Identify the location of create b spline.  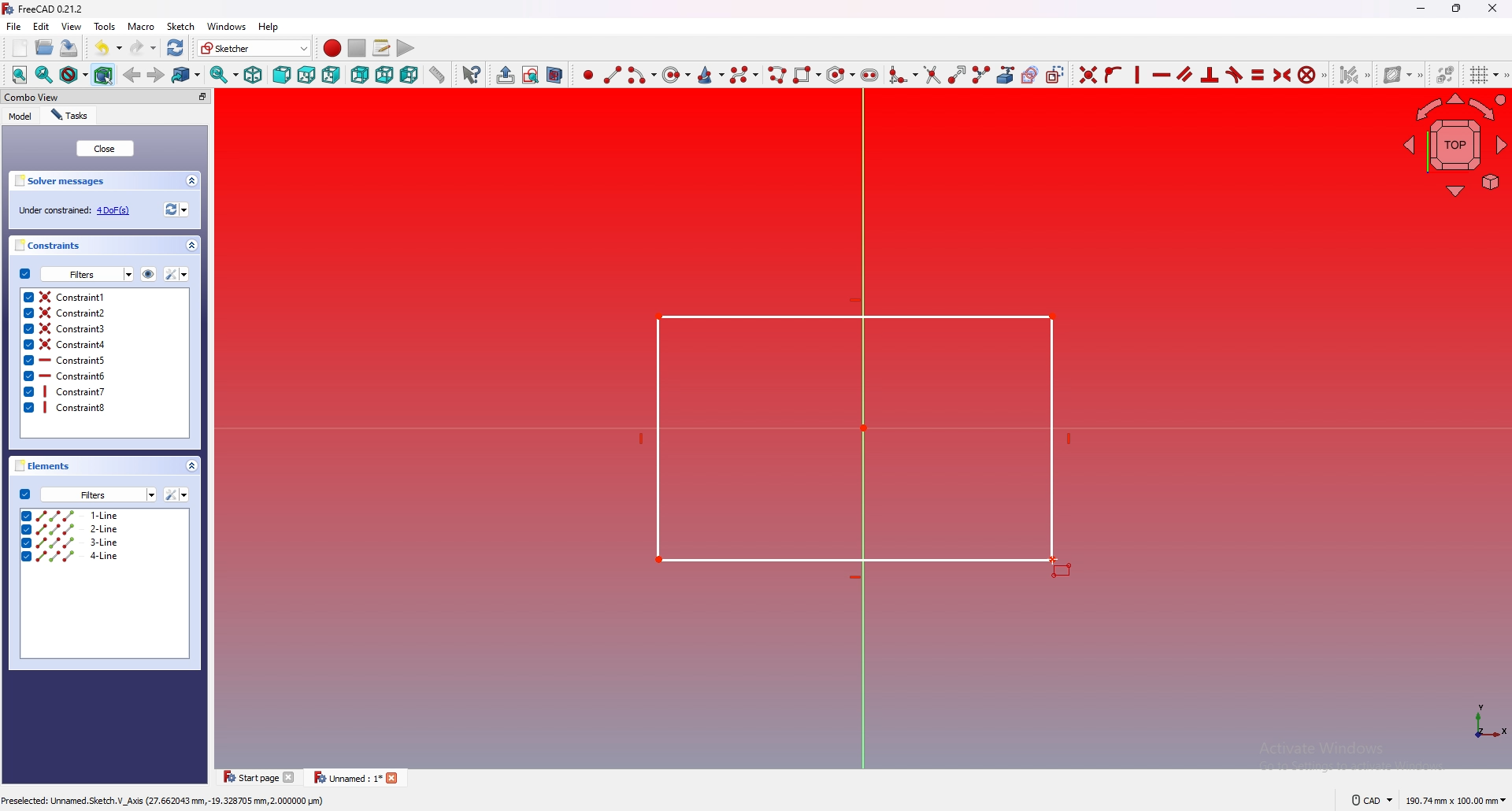
(745, 75).